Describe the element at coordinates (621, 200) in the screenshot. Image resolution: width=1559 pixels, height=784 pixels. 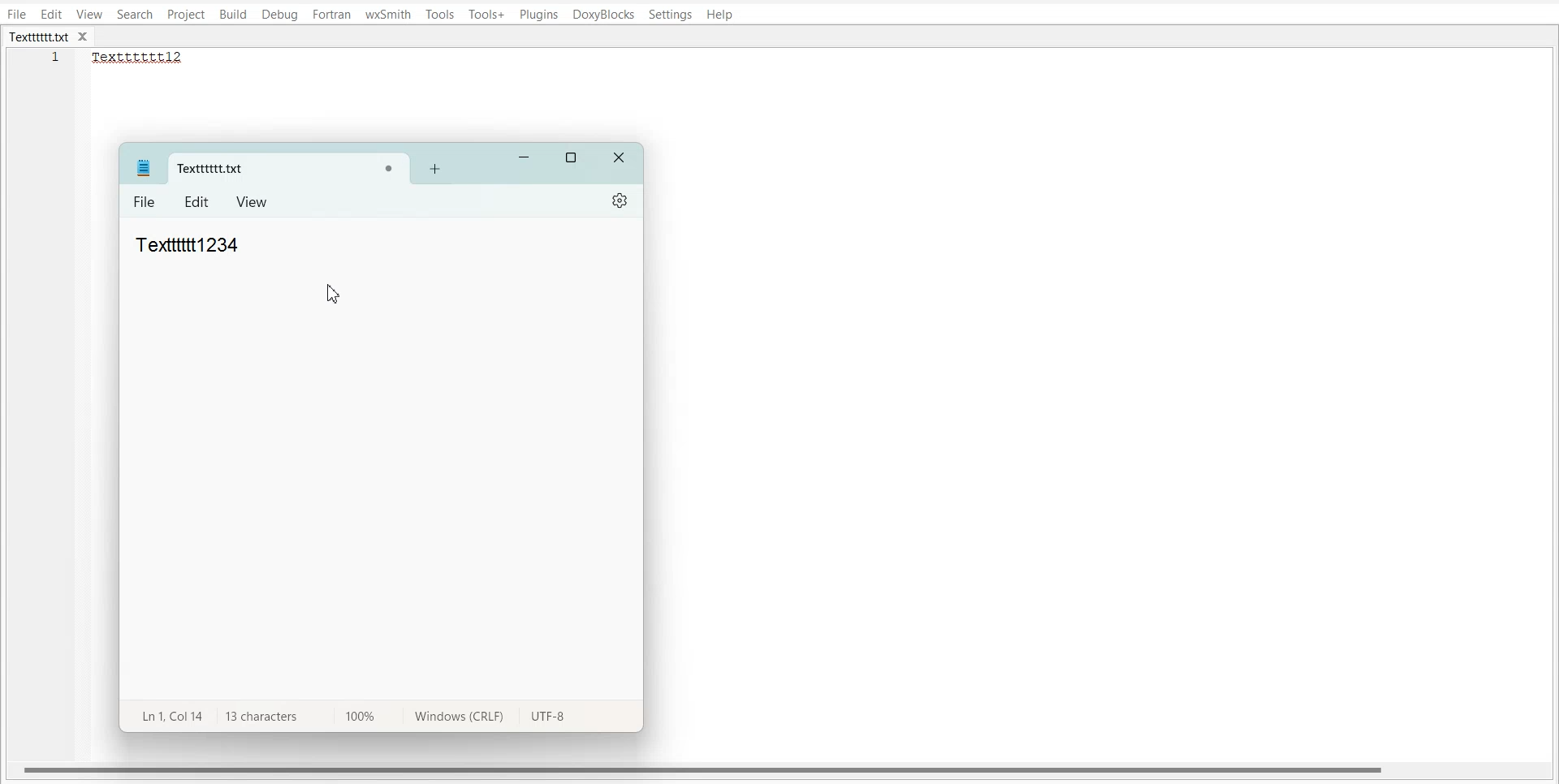
I see `Settings` at that location.